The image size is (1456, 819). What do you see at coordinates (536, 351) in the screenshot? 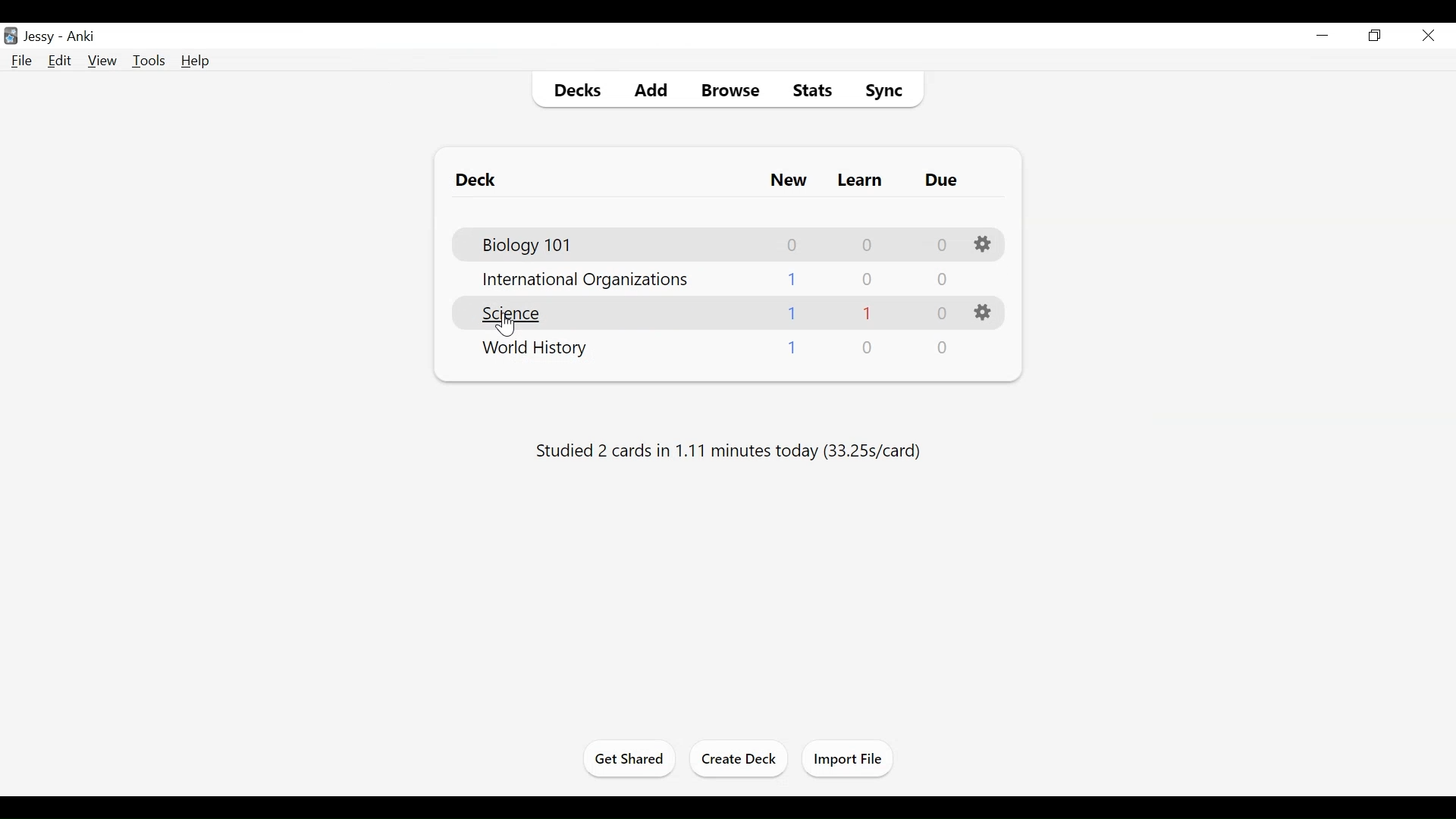
I see `Deck Name` at bounding box center [536, 351].